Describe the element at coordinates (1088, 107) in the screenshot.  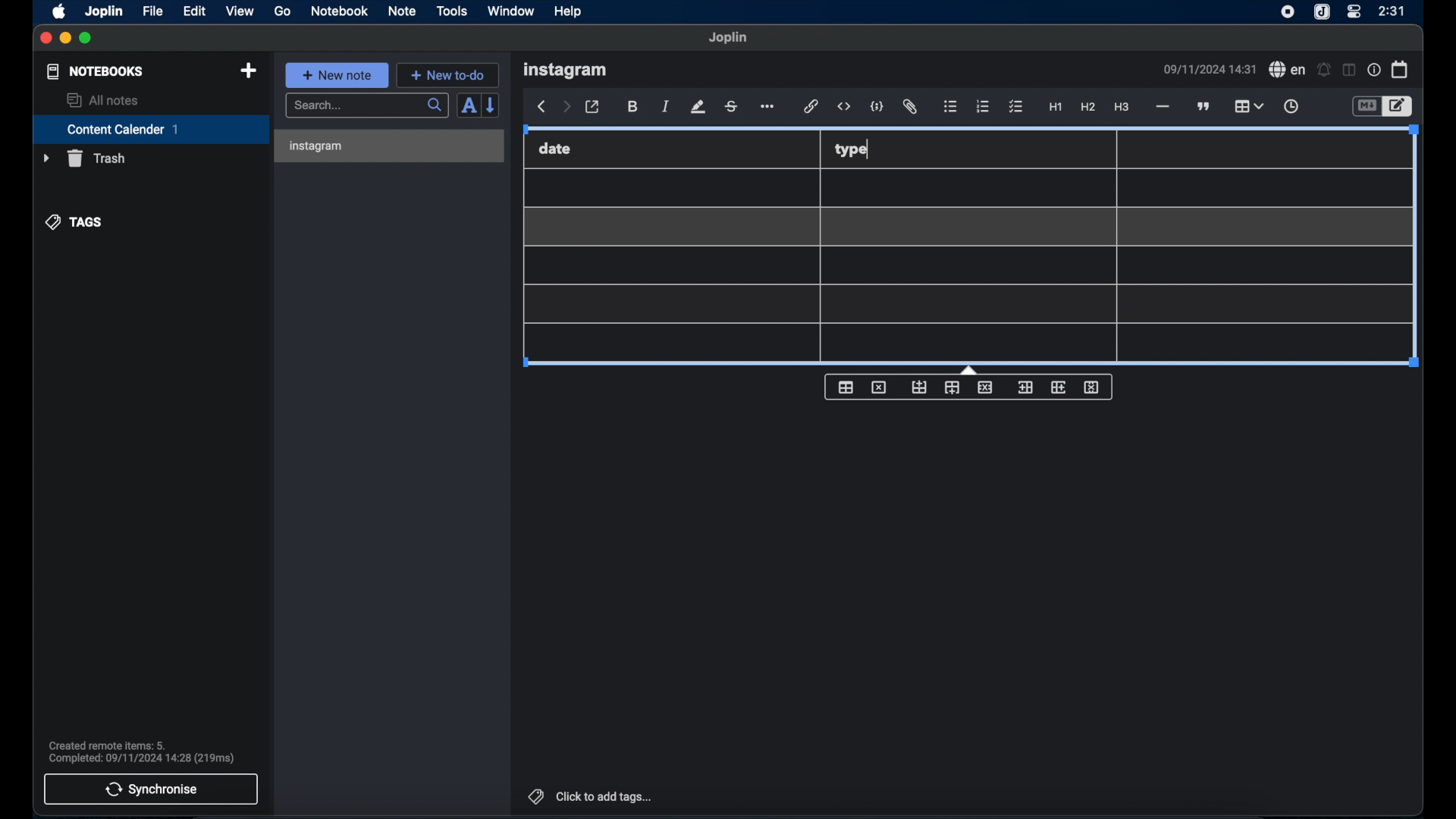
I see `heading 2` at that location.